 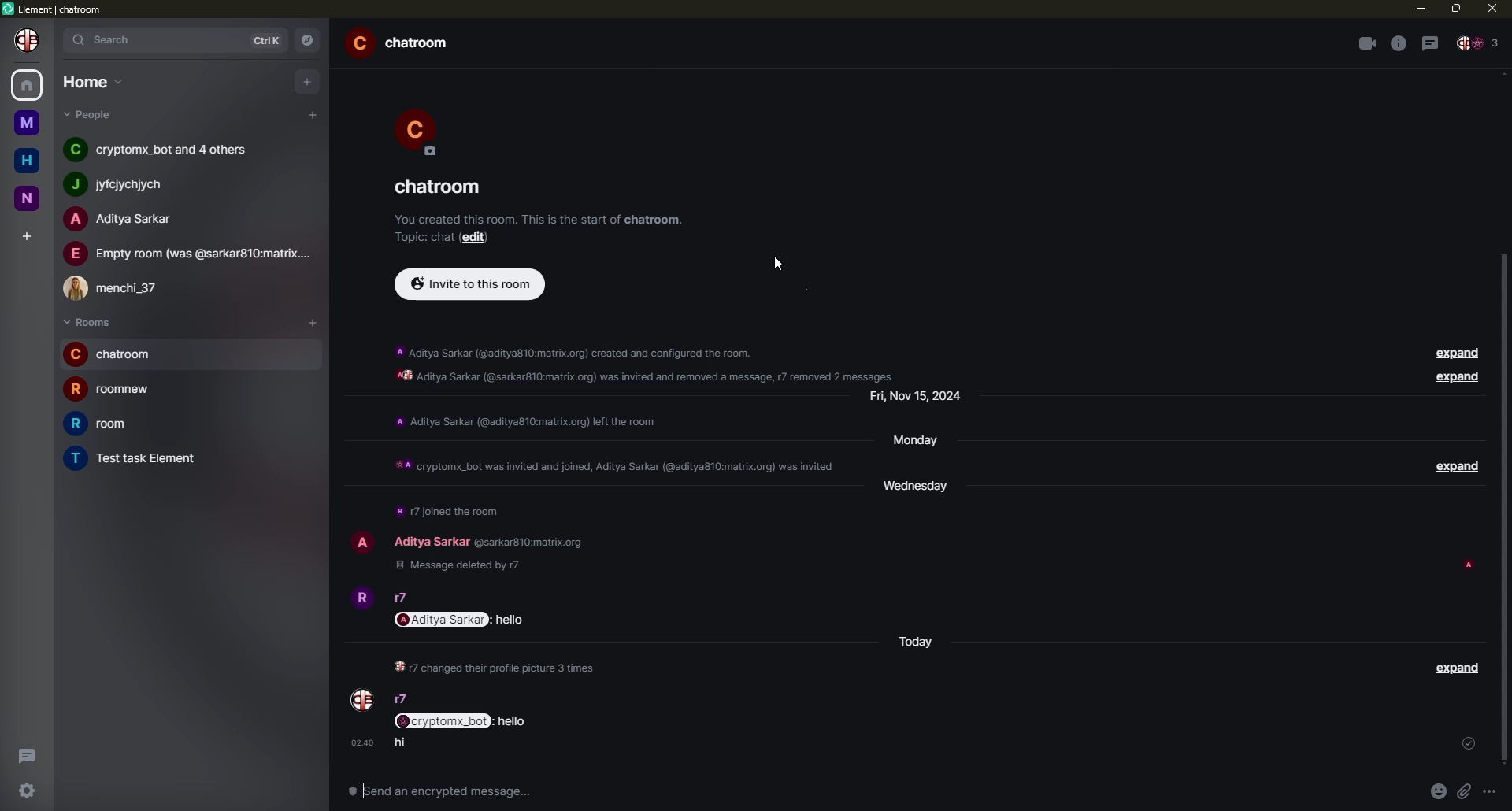 What do you see at coordinates (1437, 792) in the screenshot?
I see `emoji` at bounding box center [1437, 792].